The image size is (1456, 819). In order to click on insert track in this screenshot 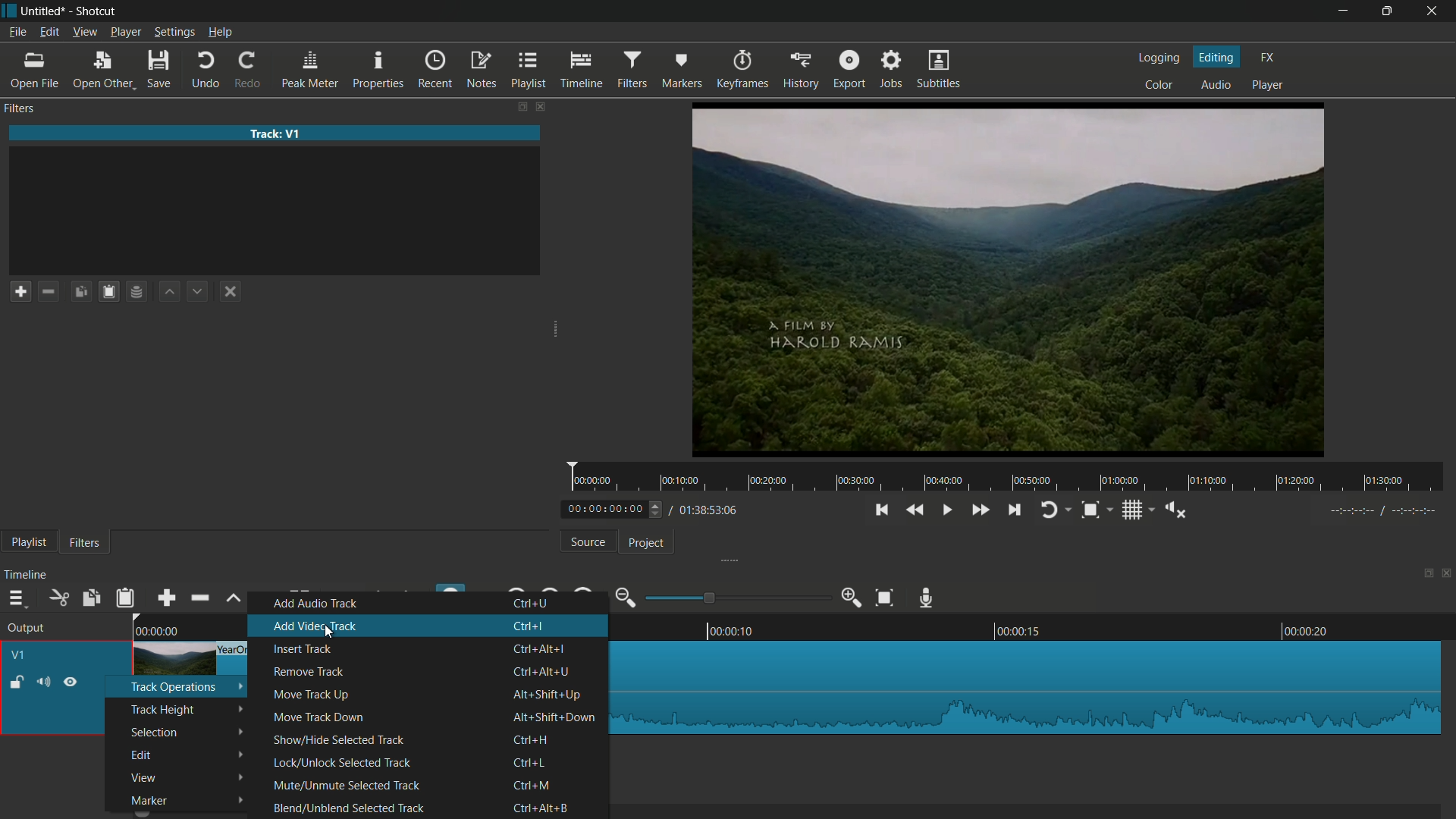, I will do `click(305, 649)`.